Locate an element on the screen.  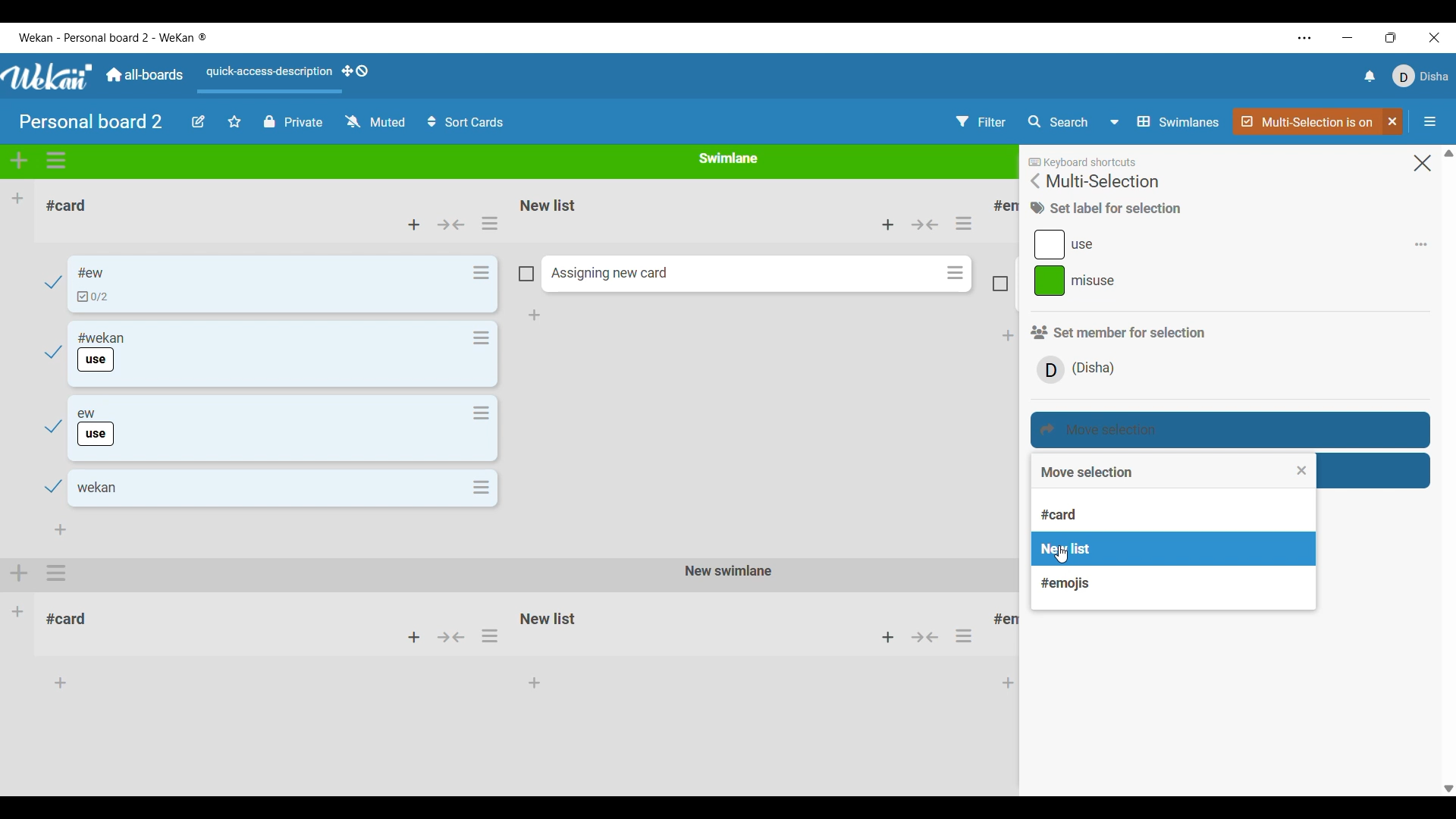
cursor is located at coordinates (1063, 555).